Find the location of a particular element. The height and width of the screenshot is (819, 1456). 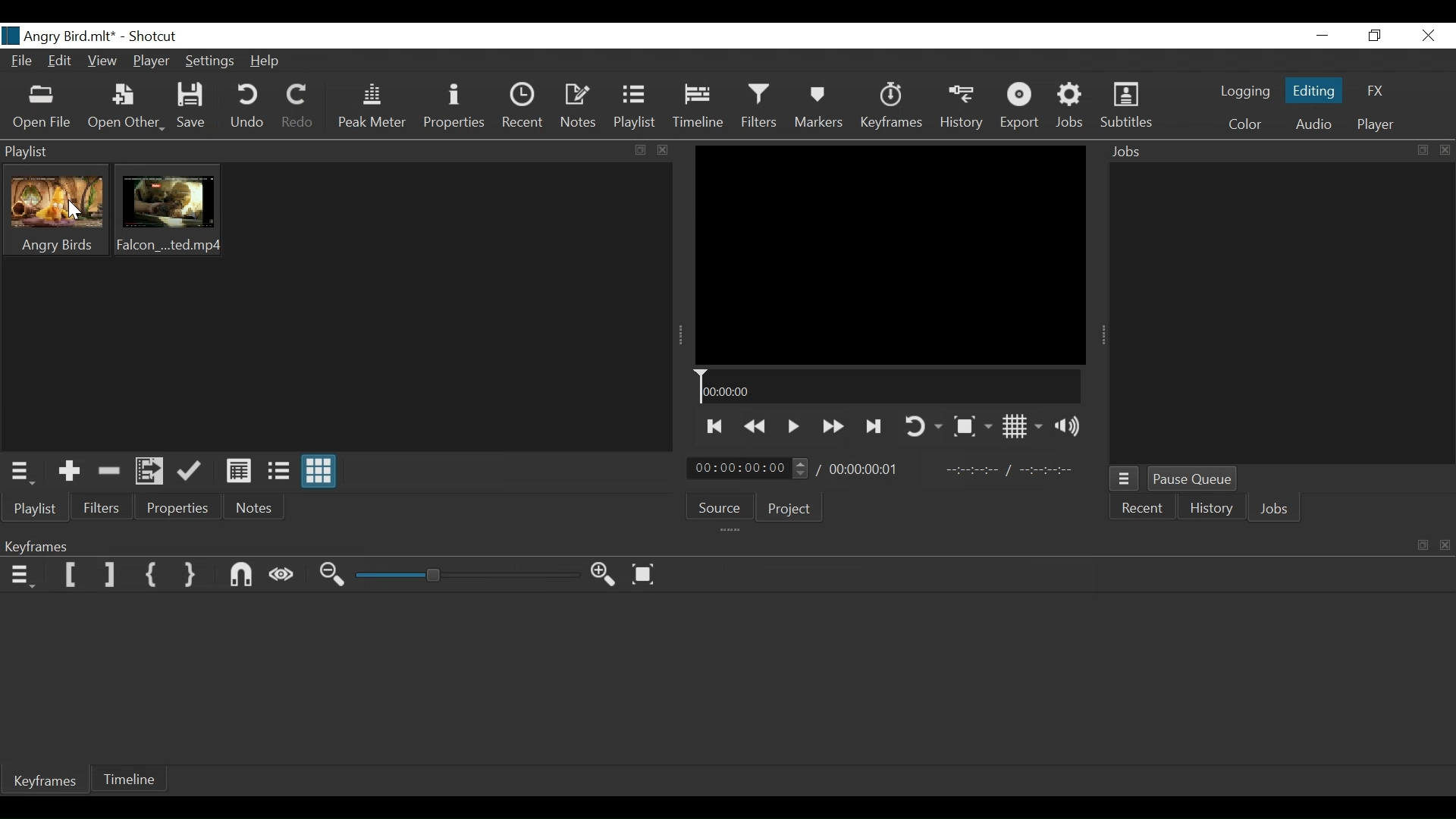

Project is located at coordinates (792, 510).